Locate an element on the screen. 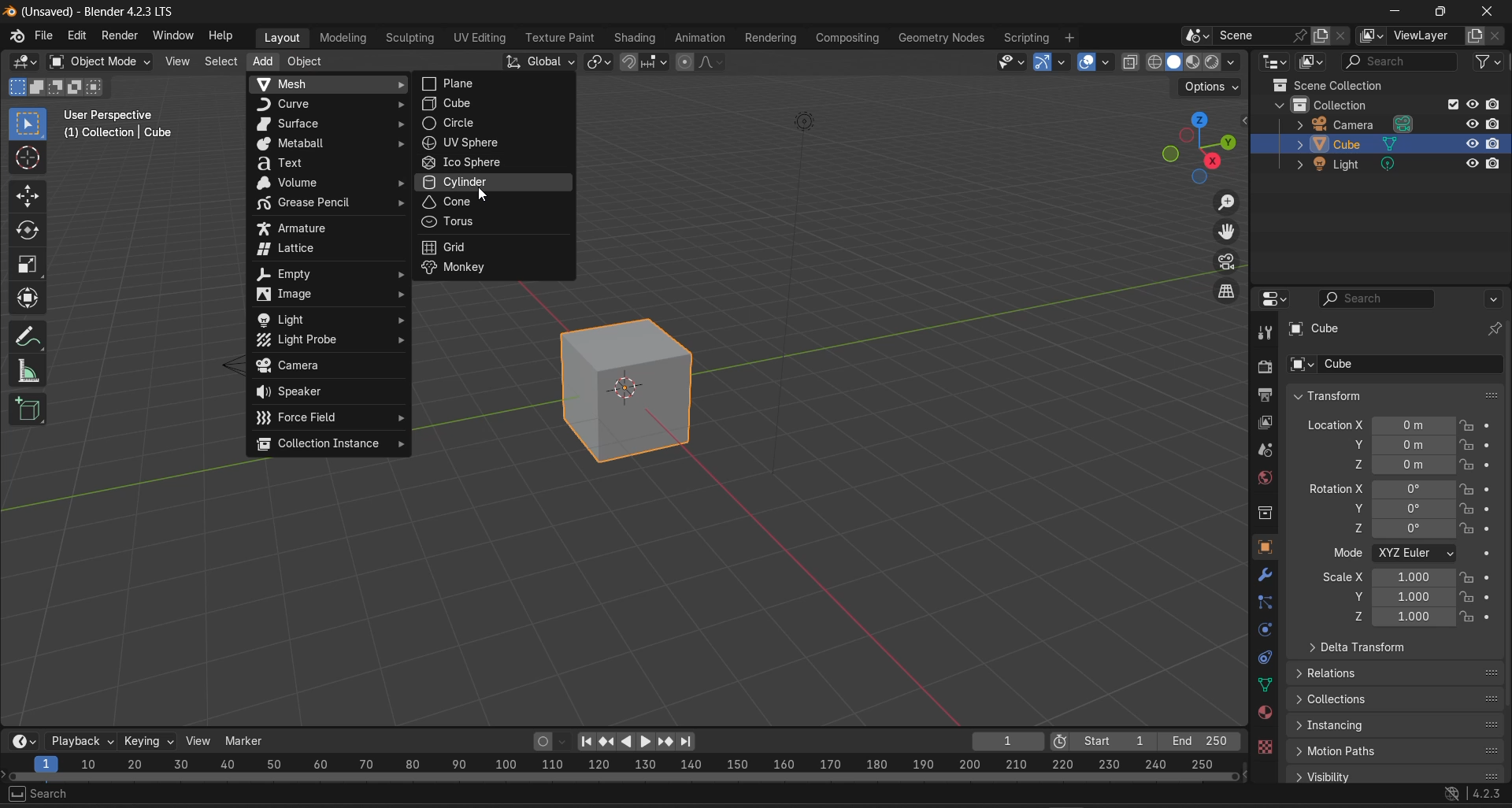 The width and height of the screenshot is (1512, 808). composting is located at coordinates (850, 36).